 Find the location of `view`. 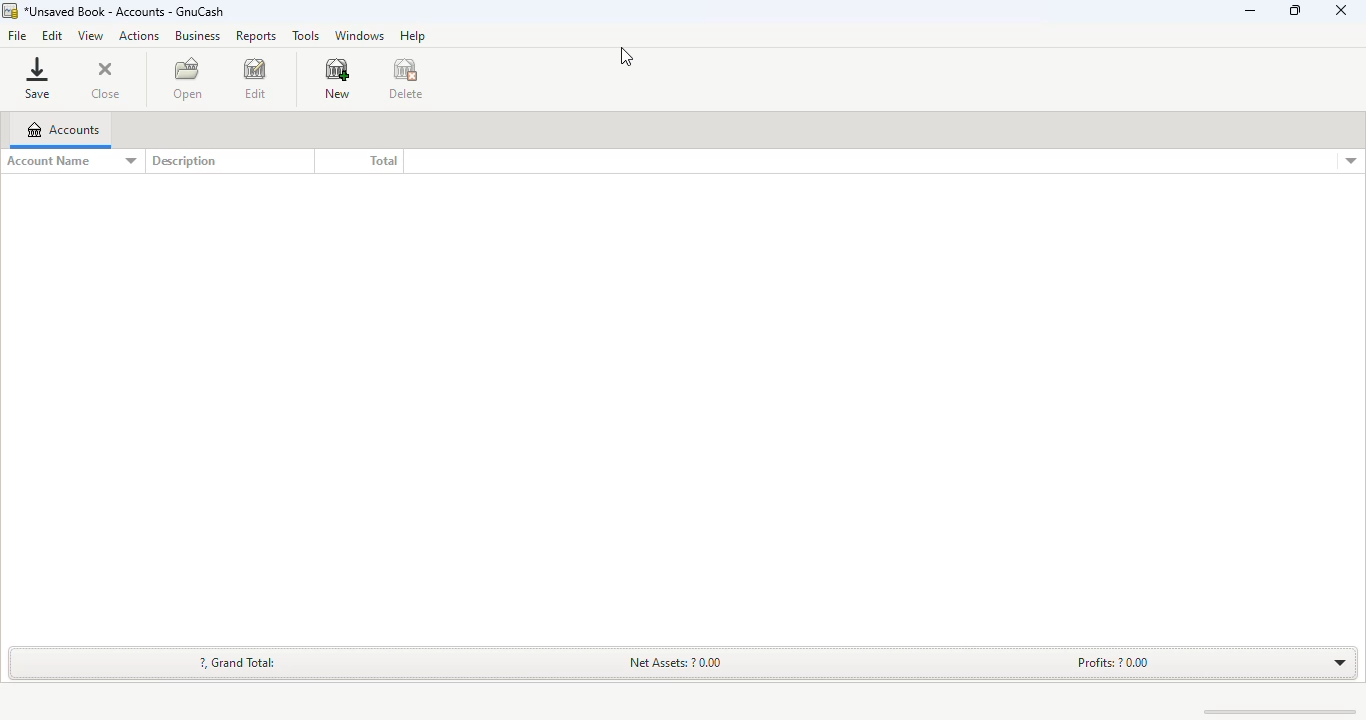

view is located at coordinates (90, 35).